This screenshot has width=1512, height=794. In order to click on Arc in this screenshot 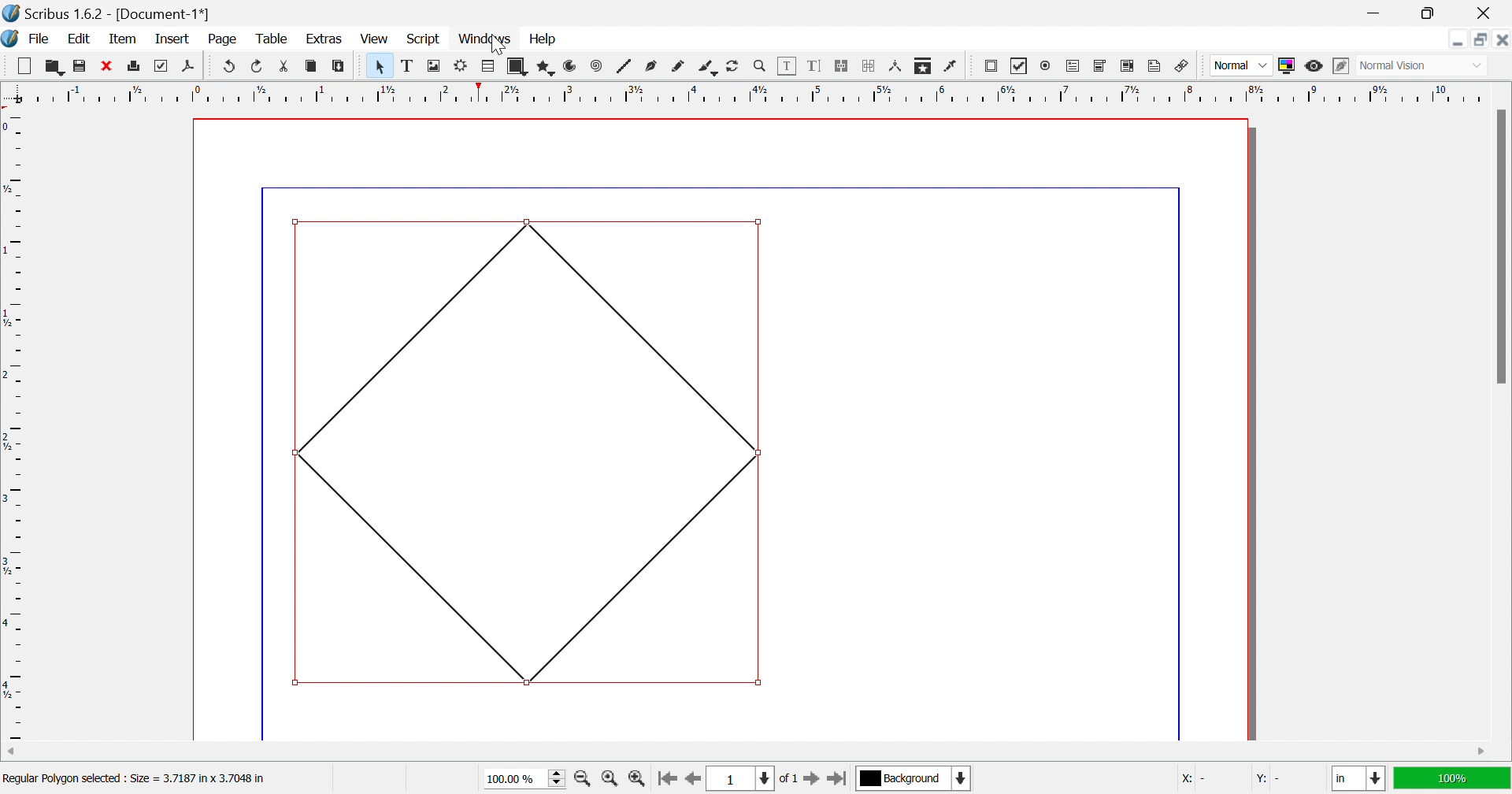, I will do `click(570, 65)`.